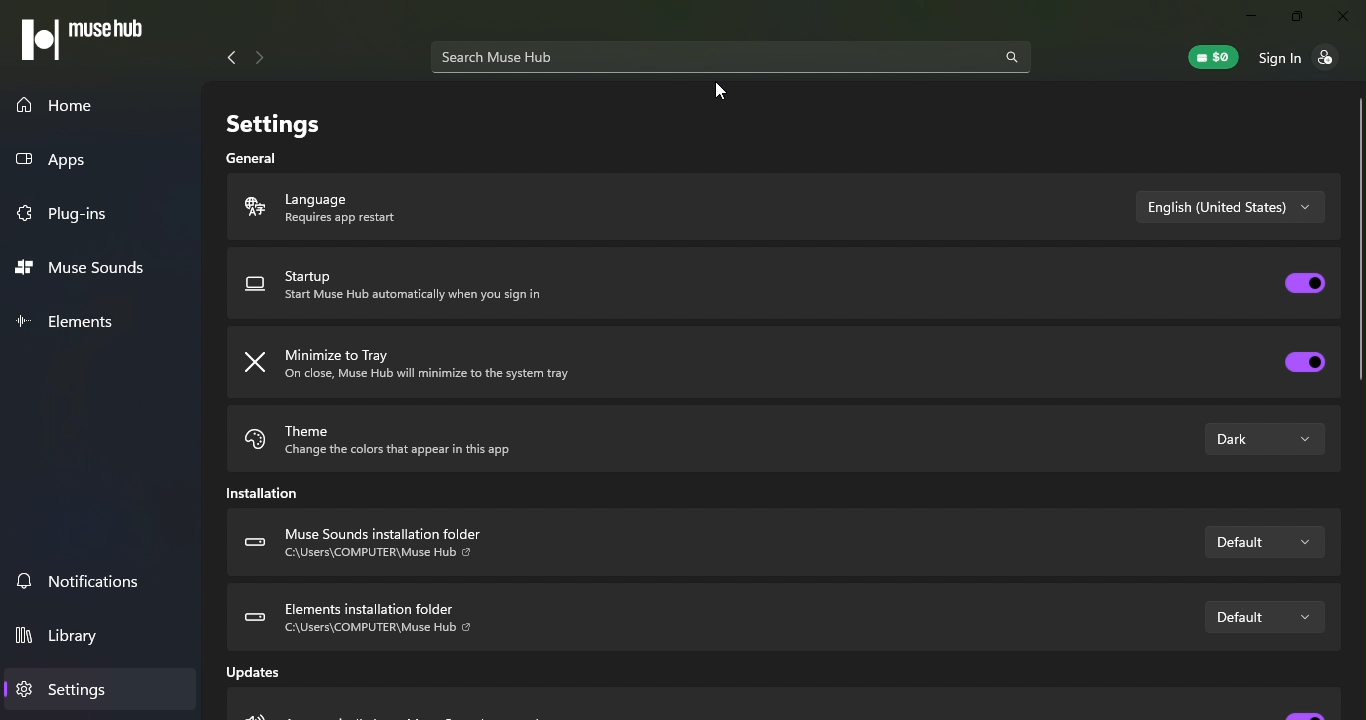  What do you see at coordinates (1264, 439) in the screenshot?
I see `current theme dark` at bounding box center [1264, 439].